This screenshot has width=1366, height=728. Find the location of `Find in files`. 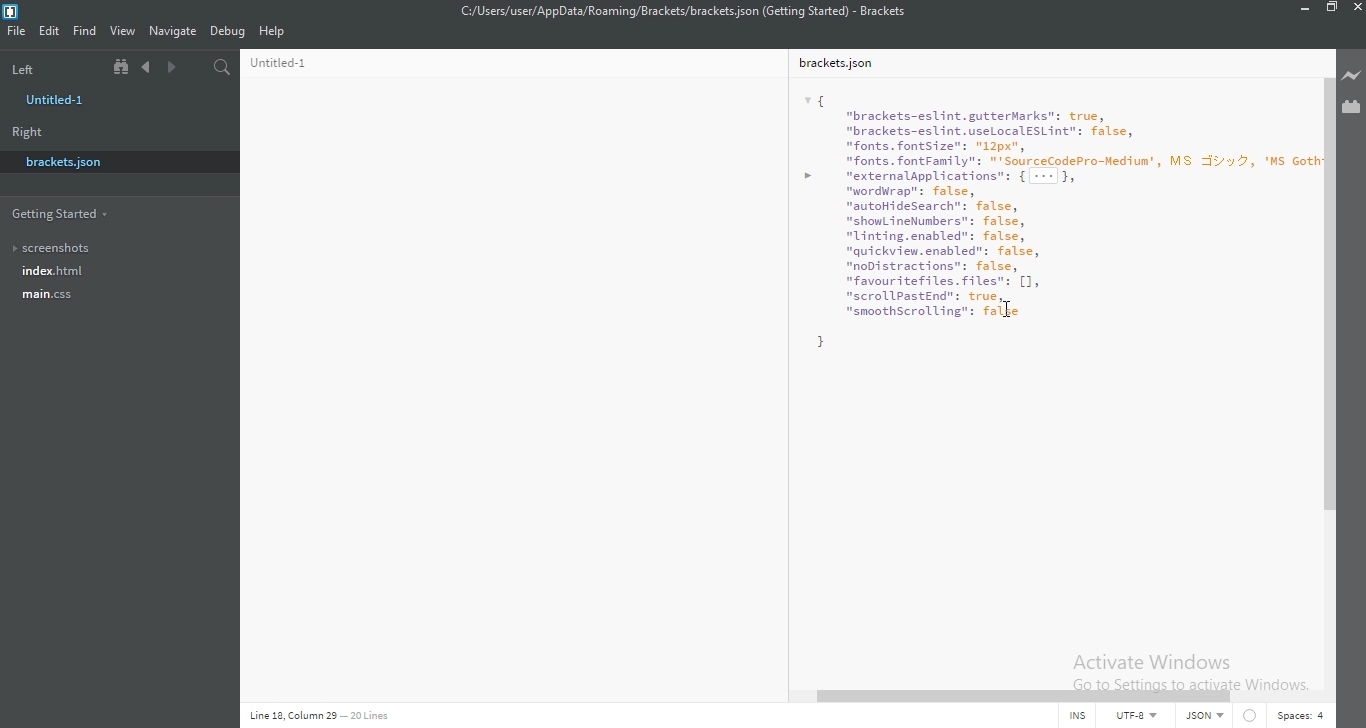

Find in files is located at coordinates (223, 65).